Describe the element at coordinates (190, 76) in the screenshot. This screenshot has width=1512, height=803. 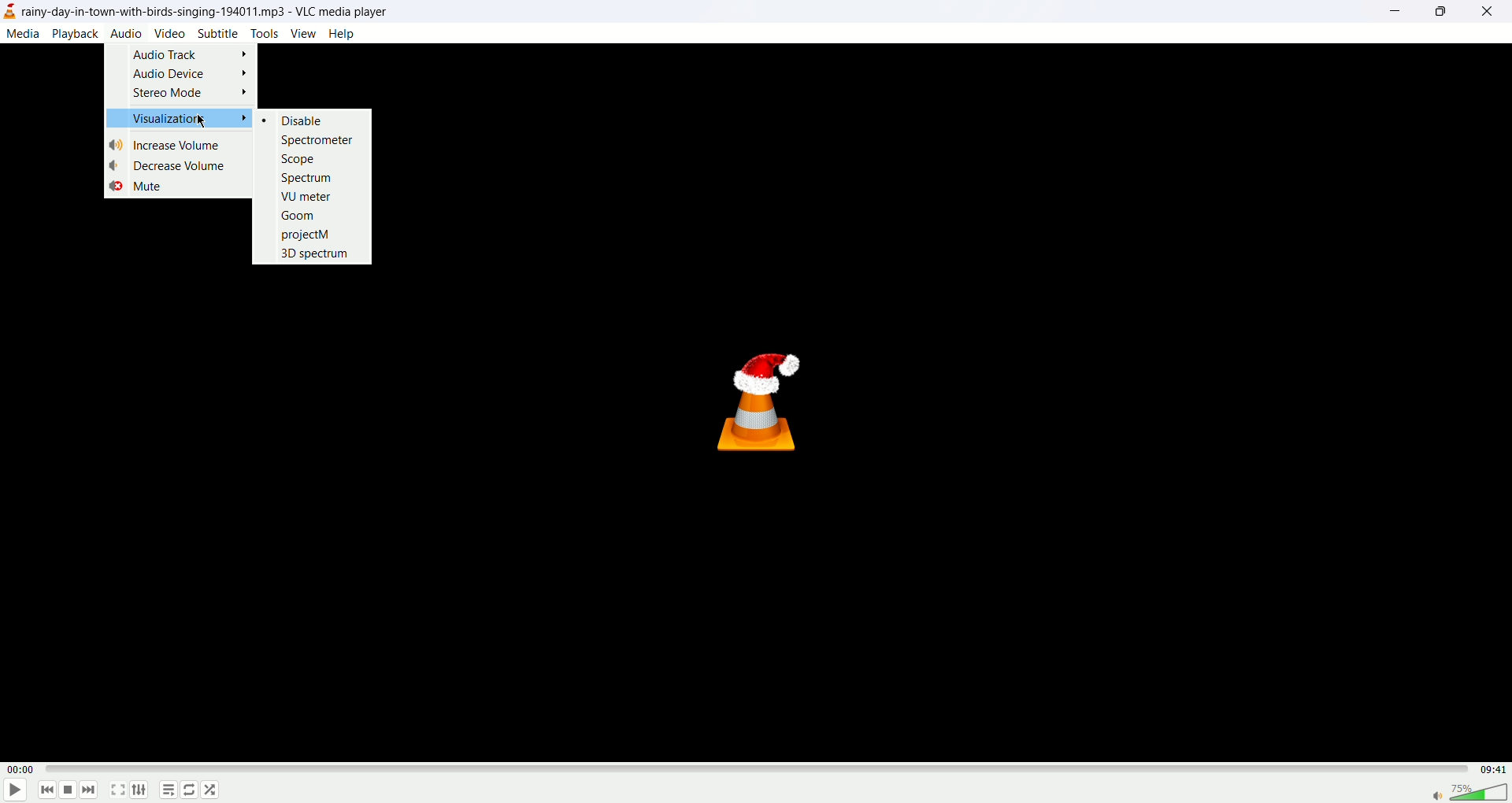
I see `audio device` at that location.